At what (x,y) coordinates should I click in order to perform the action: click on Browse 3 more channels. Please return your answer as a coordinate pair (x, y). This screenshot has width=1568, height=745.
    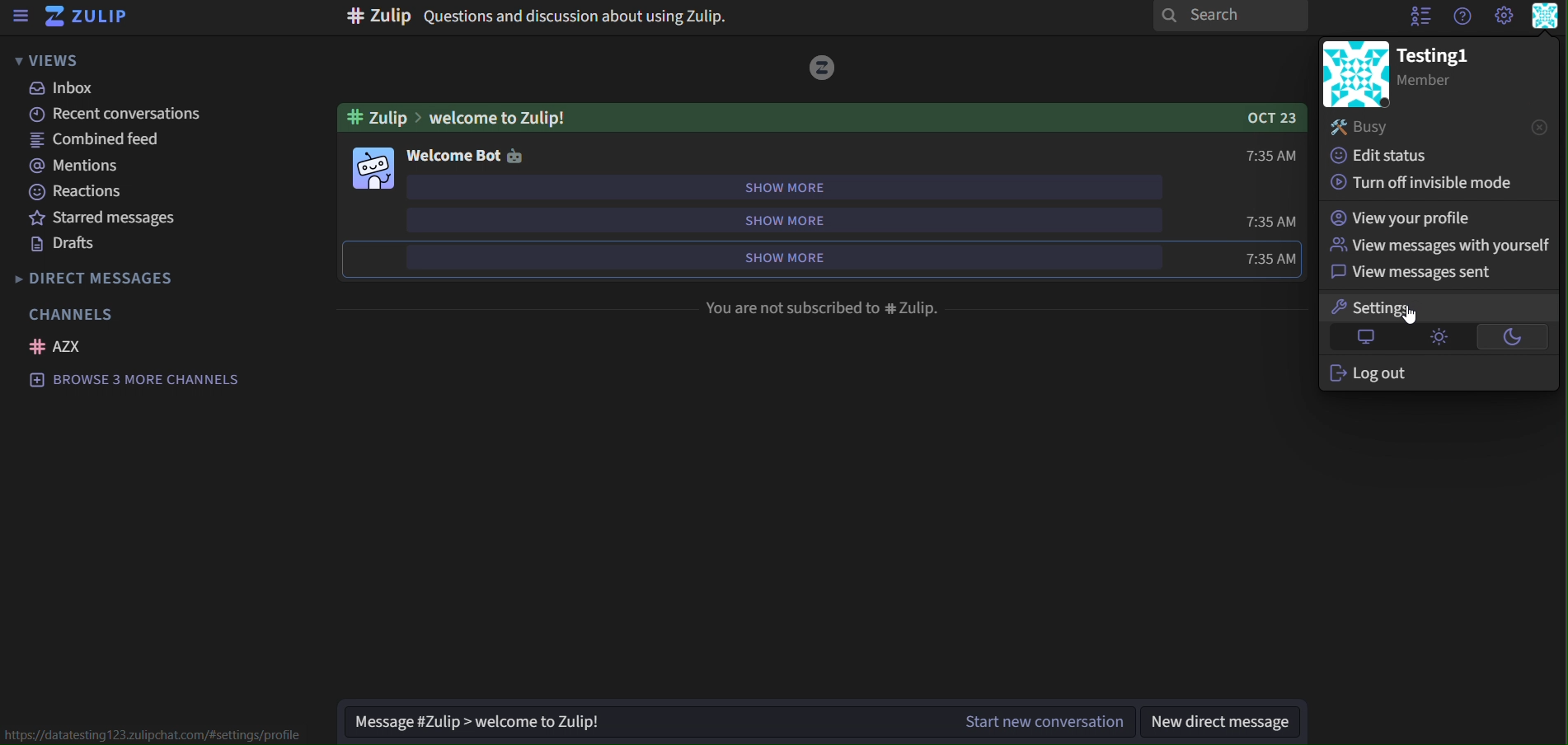
    Looking at the image, I should click on (134, 379).